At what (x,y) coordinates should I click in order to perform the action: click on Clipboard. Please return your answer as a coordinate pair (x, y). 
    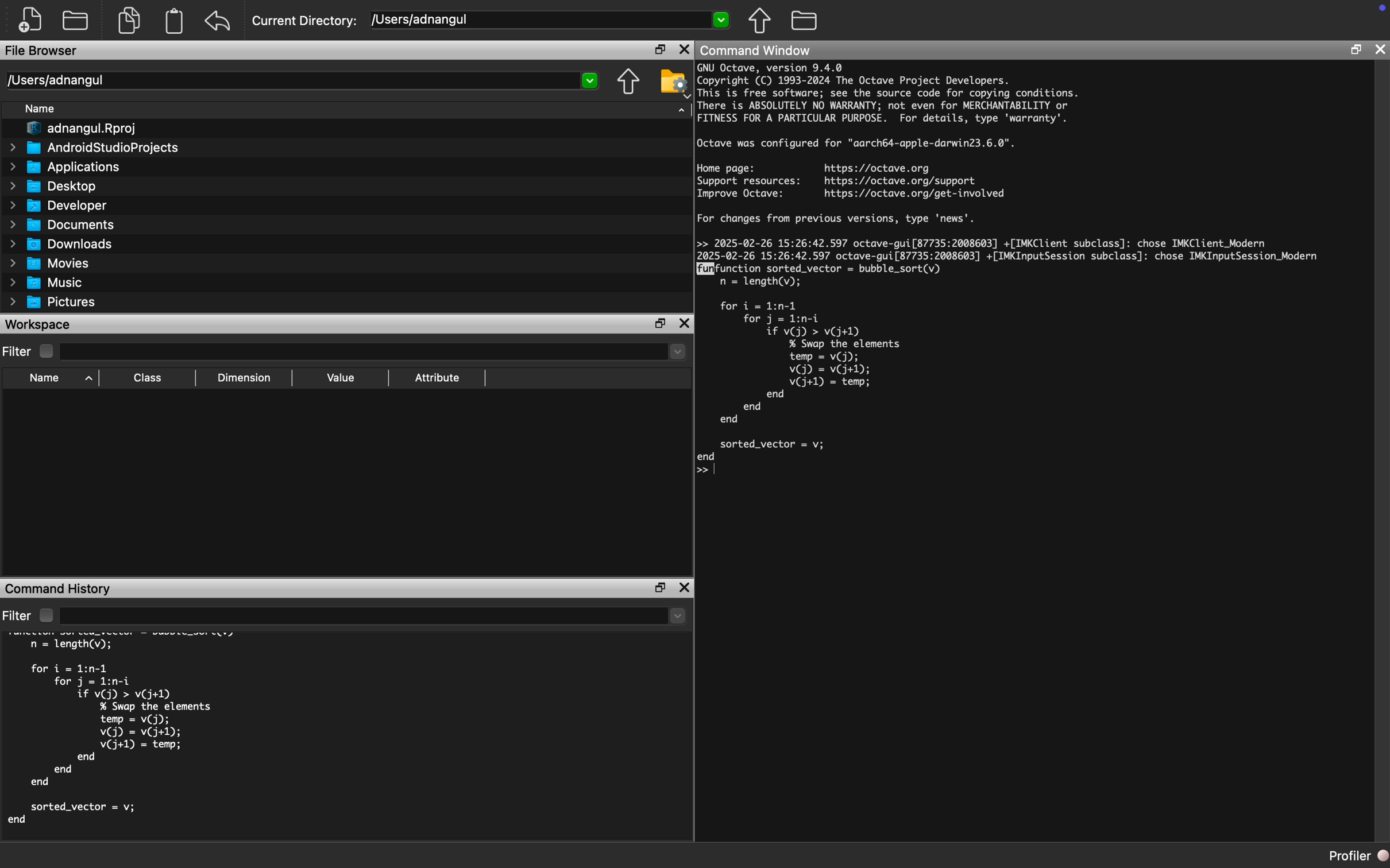
    Looking at the image, I should click on (173, 21).